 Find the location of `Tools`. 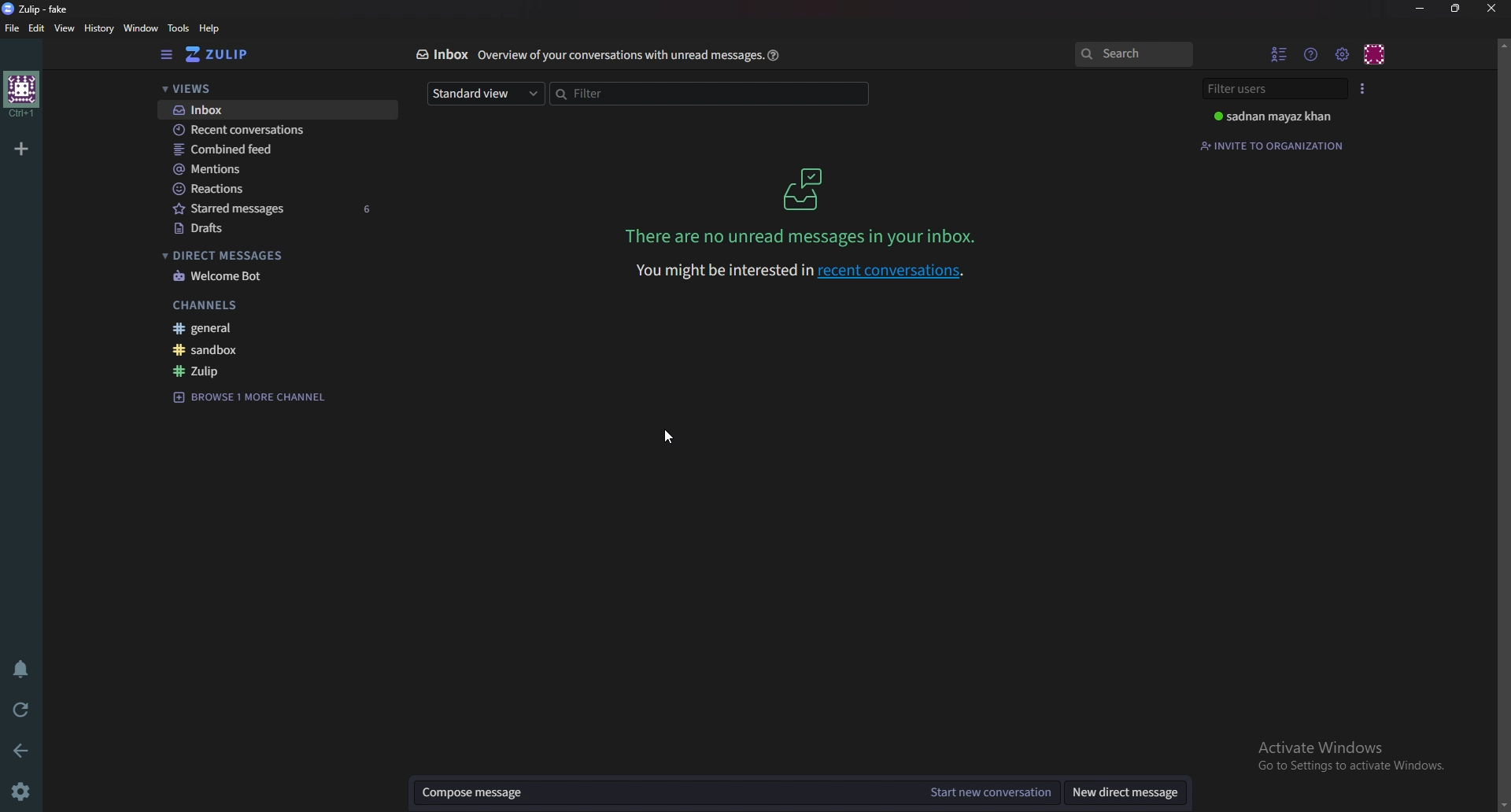

Tools is located at coordinates (179, 28).